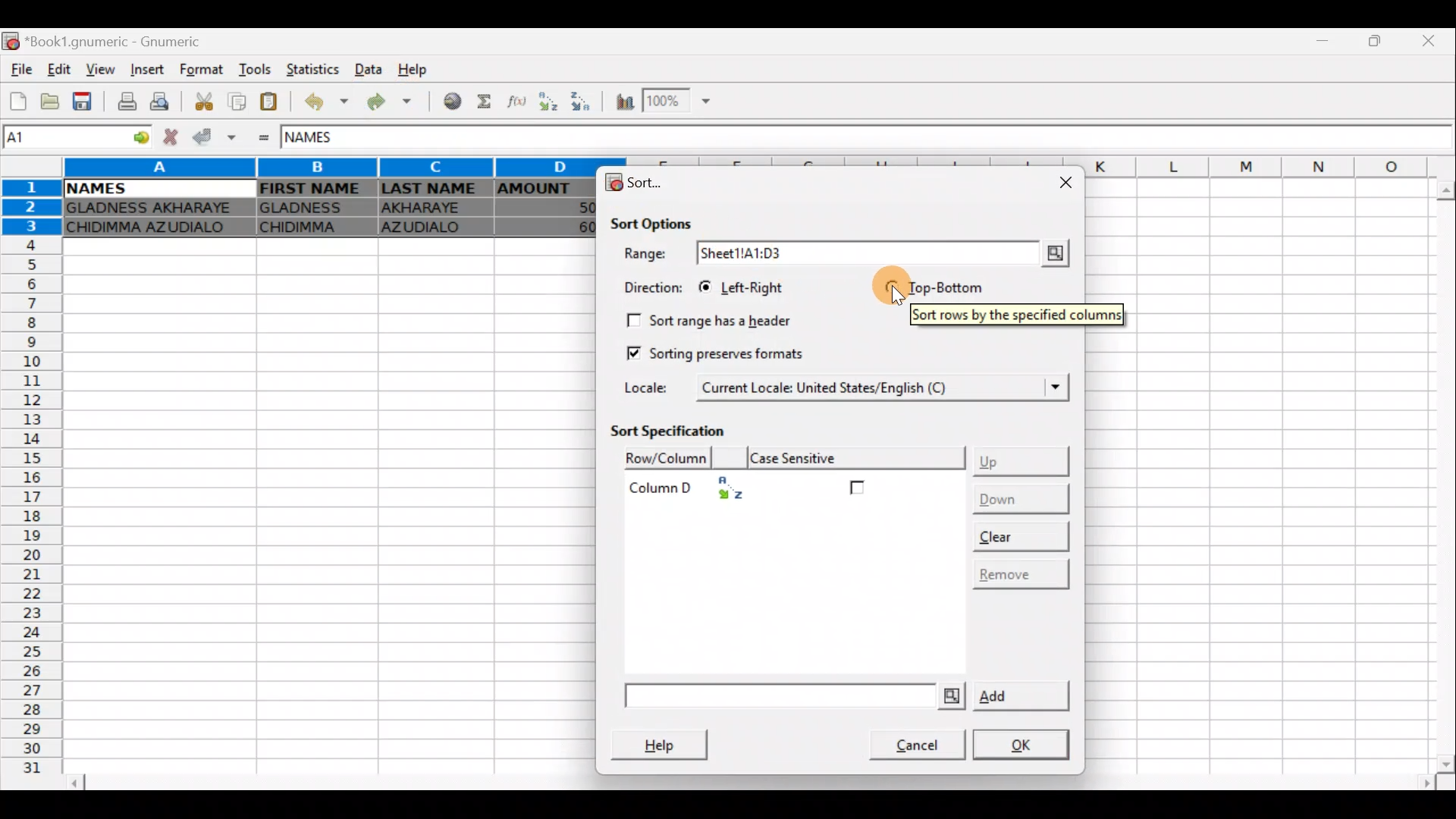  Describe the element at coordinates (719, 318) in the screenshot. I see `Sort range has a header` at that location.